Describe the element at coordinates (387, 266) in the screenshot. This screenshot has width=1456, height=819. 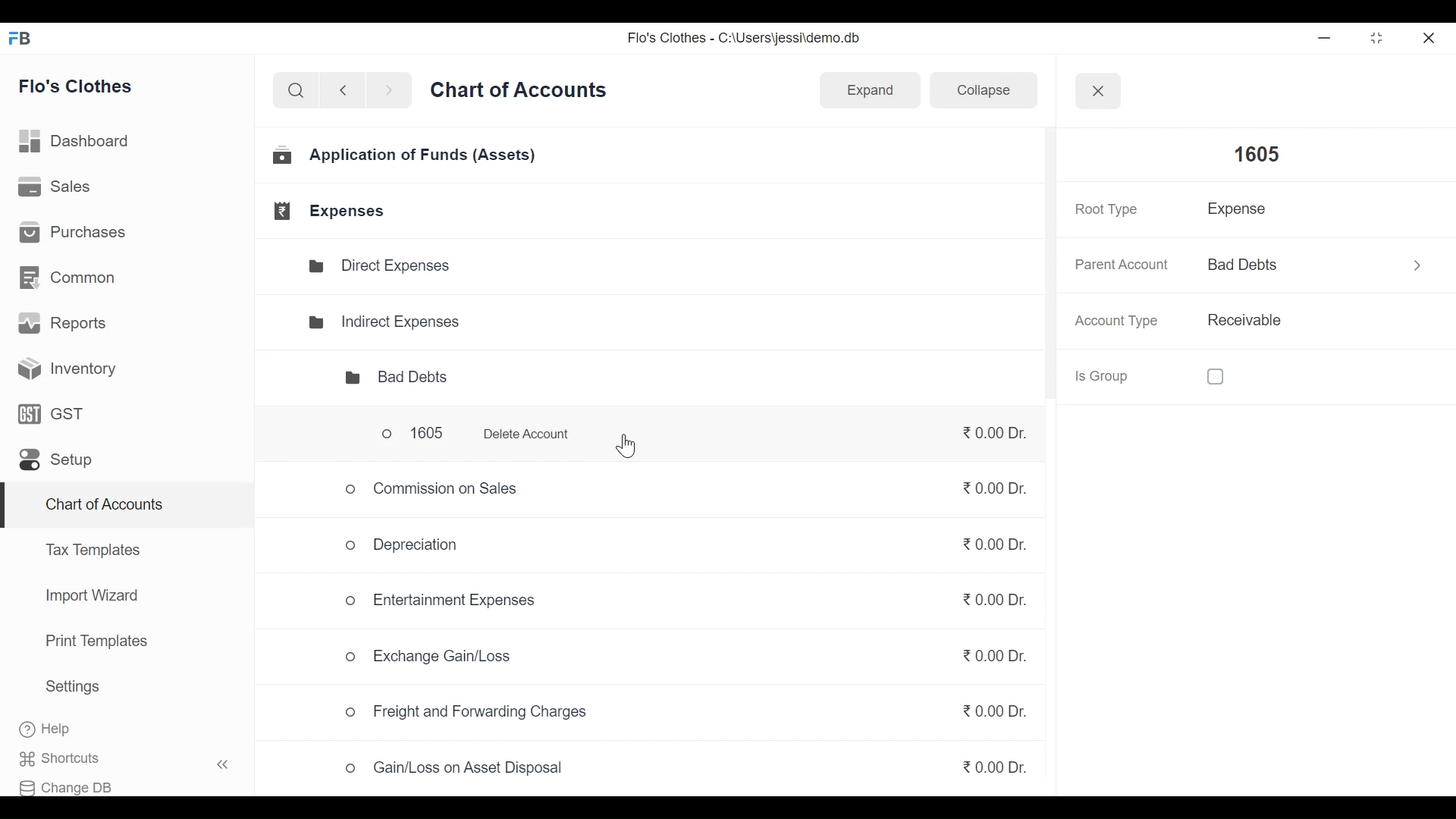
I see `Direct Expenses` at that location.